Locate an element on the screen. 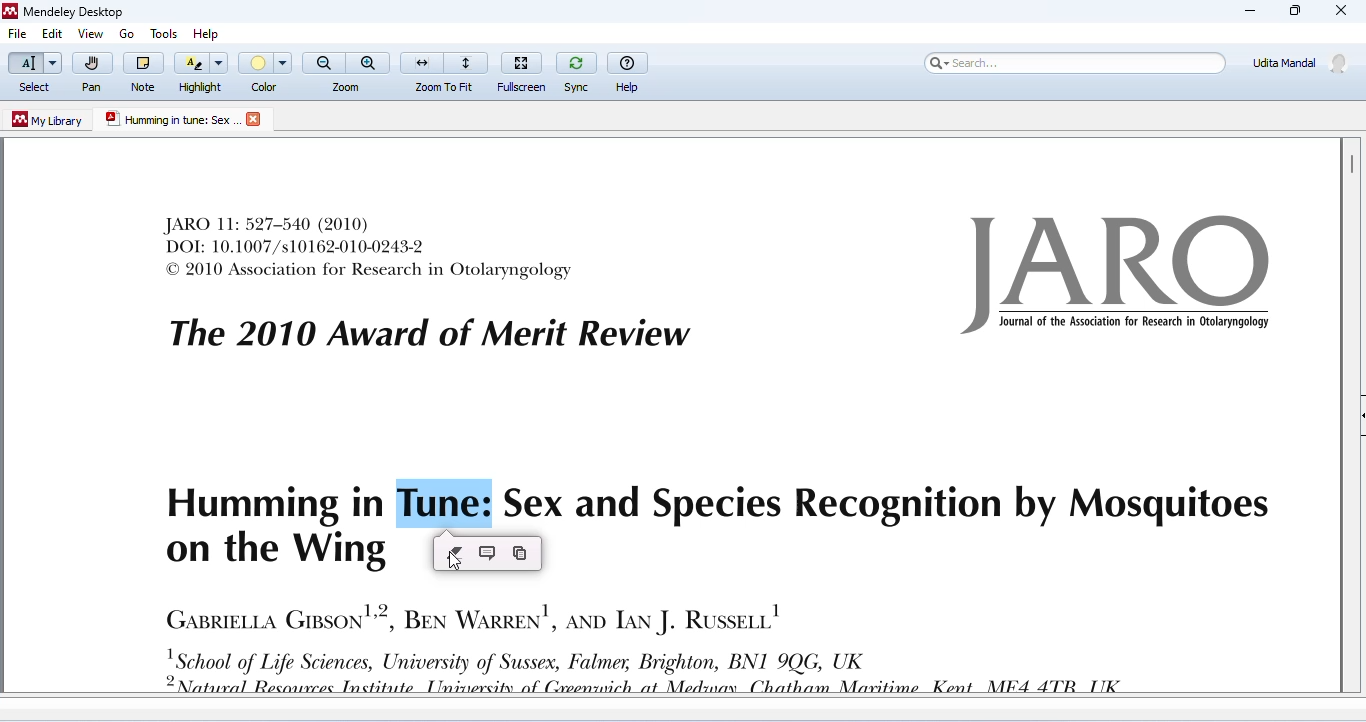 The width and height of the screenshot is (1366, 722). GABRIELLA Gisson'2, BEN WARREN, AND IAN J. RUSSELL. is located at coordinates (472, 616).